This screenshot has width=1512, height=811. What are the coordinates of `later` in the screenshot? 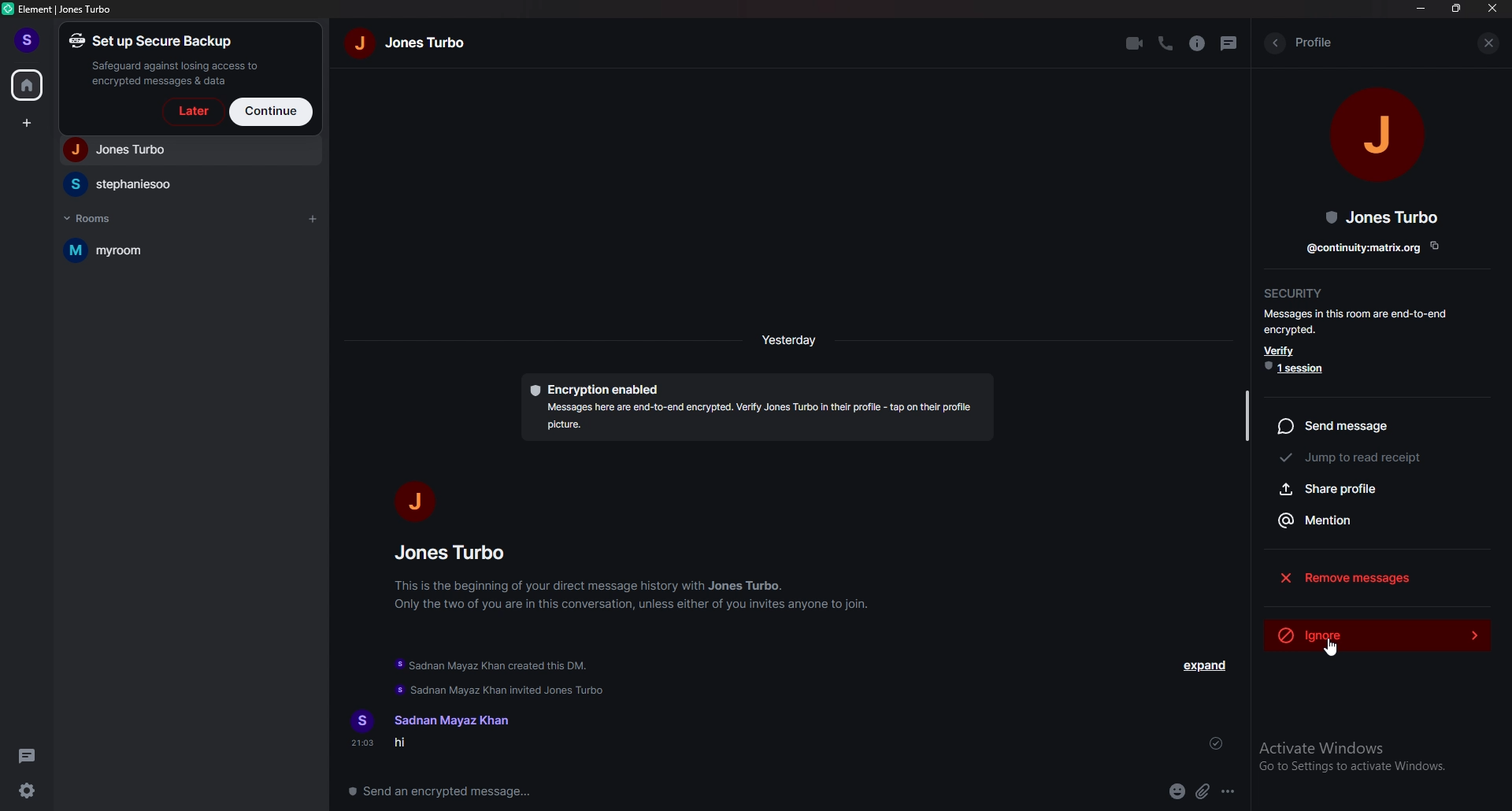 It's located at (191, 112).